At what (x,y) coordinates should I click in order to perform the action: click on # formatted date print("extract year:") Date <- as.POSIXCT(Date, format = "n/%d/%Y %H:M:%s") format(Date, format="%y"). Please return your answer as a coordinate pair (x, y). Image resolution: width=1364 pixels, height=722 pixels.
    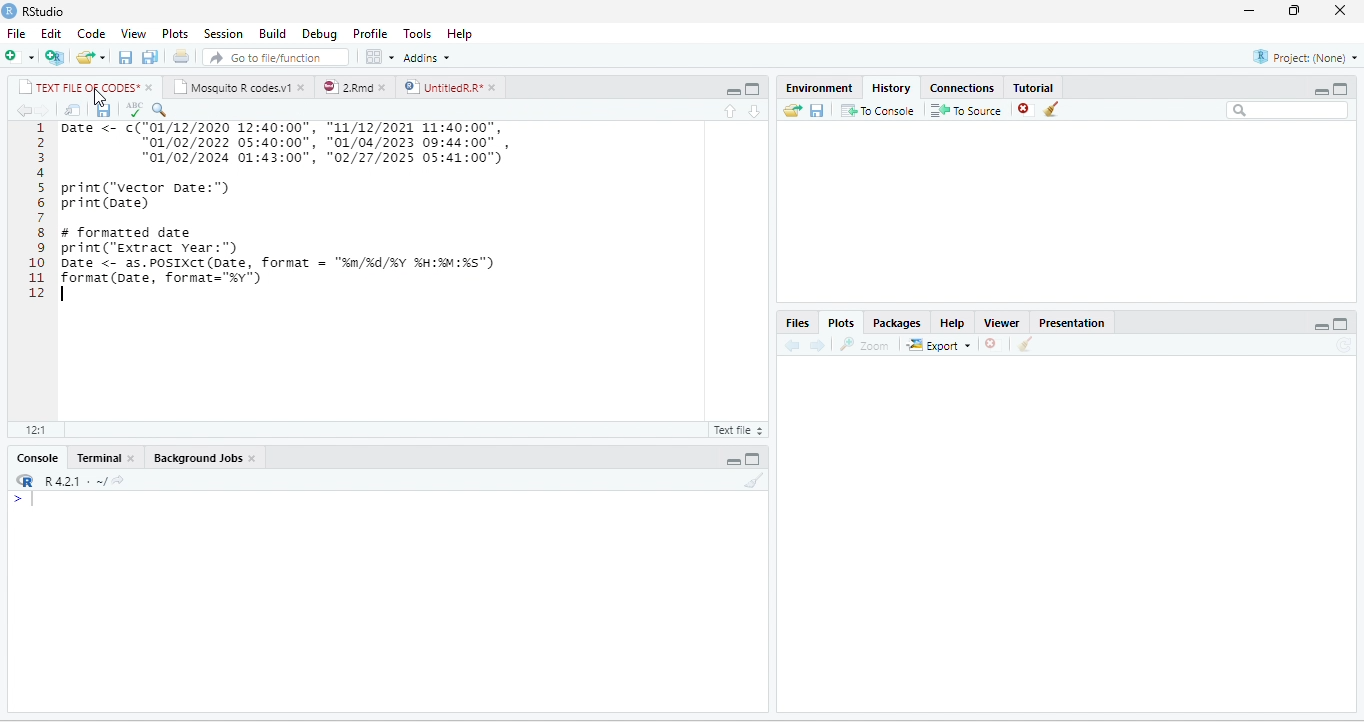
    Looking at the image, I should click on (306, 255).